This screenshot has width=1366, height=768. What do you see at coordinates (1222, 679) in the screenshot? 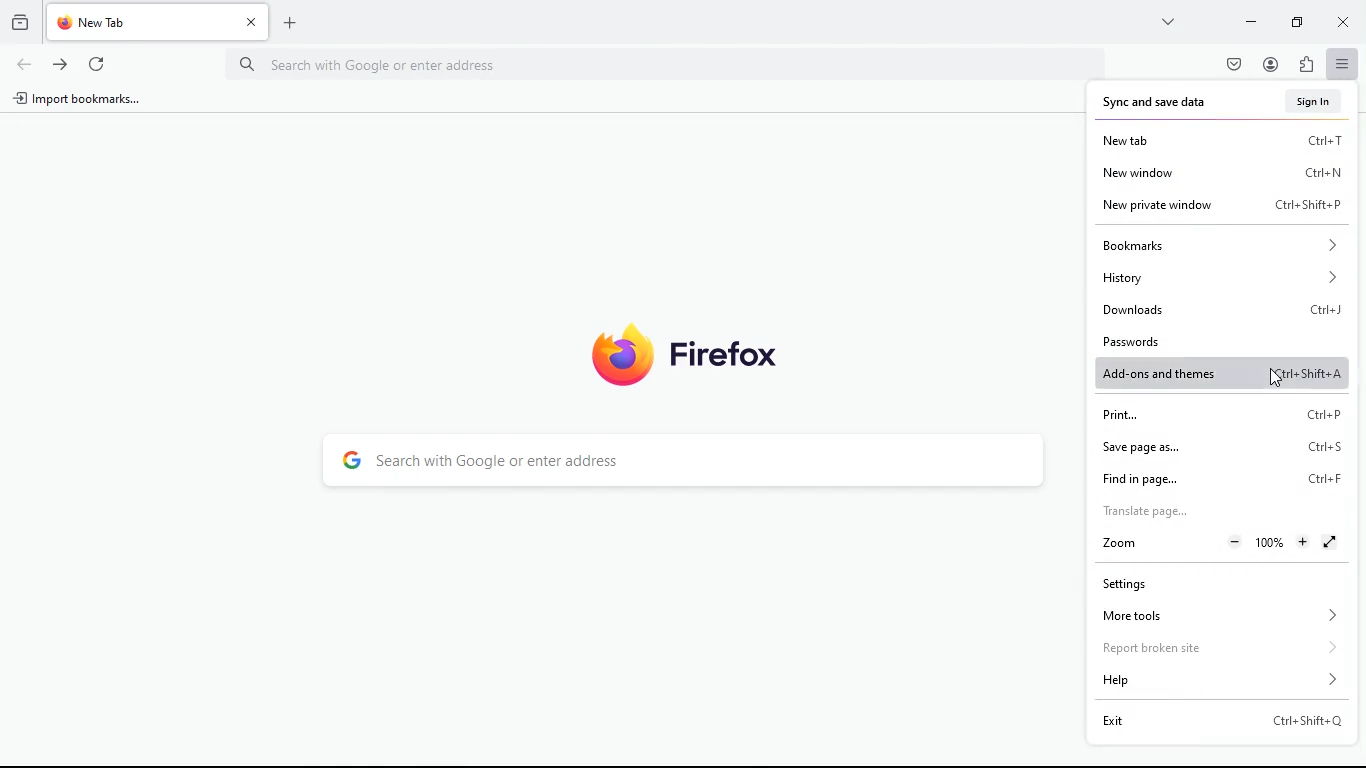
I see `help` at bounding box center [1222, 679].